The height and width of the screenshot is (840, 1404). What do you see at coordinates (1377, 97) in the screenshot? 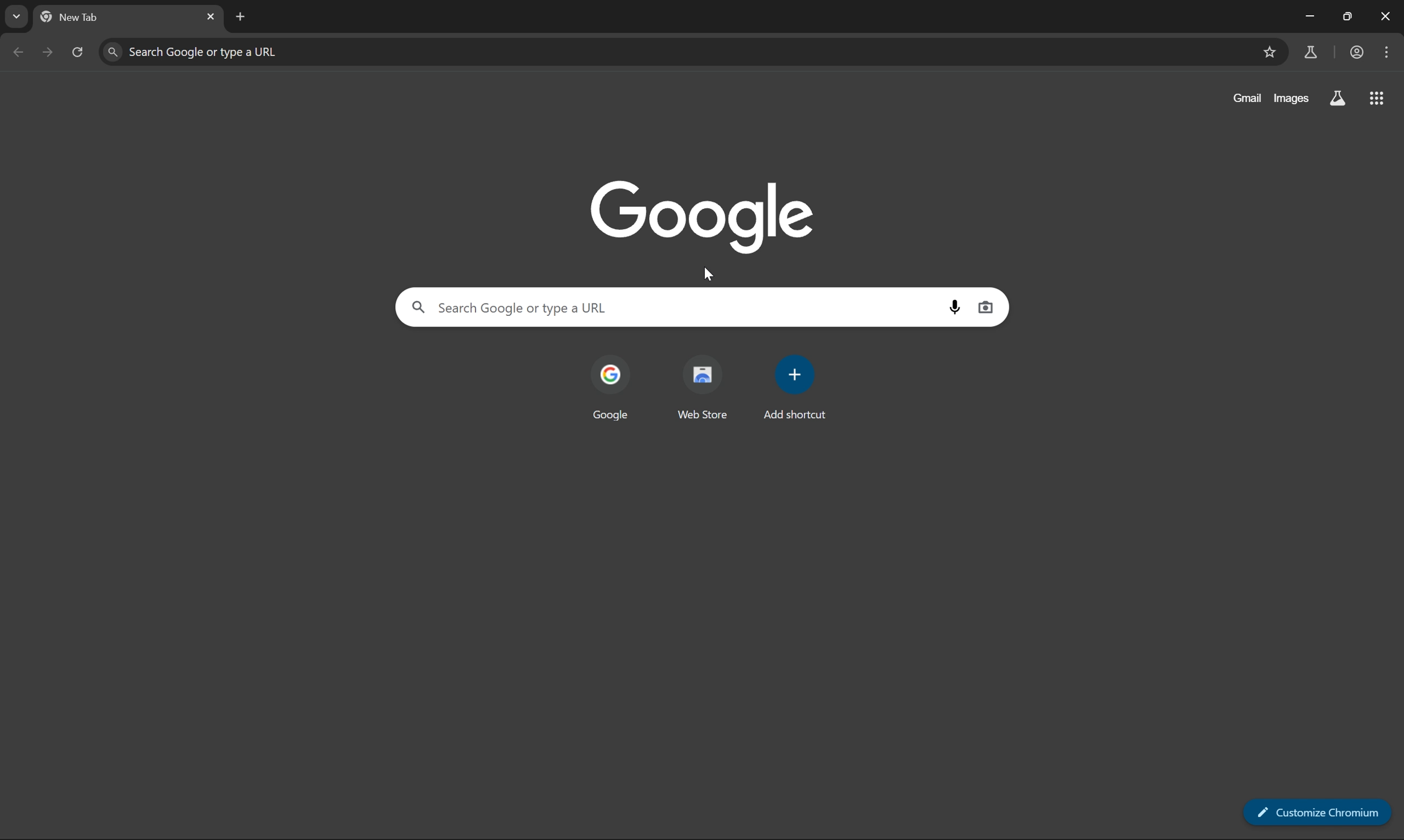
I see `apps` at bounding box center [1377, 97].